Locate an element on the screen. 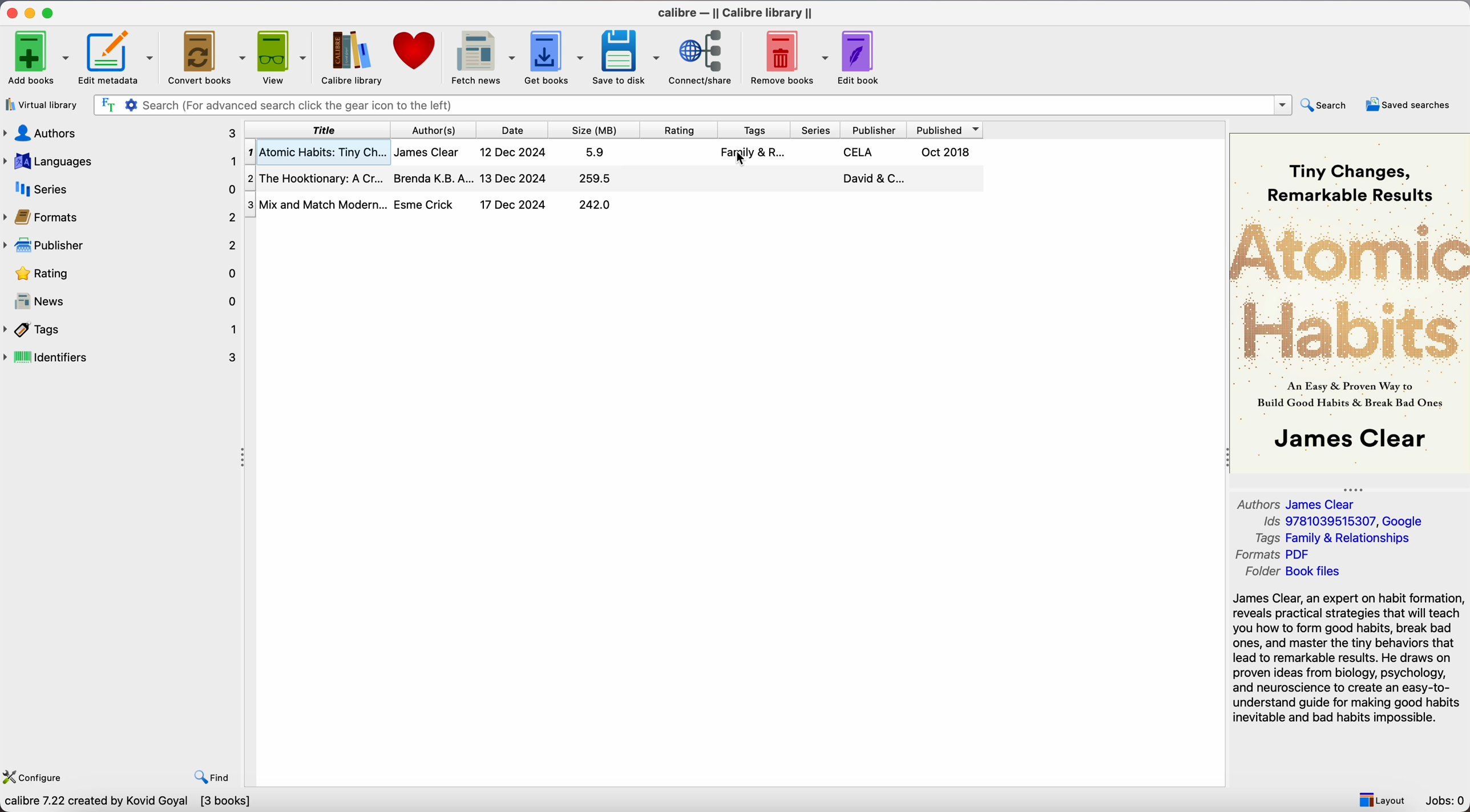  get books is located at coordinates (555, 57).